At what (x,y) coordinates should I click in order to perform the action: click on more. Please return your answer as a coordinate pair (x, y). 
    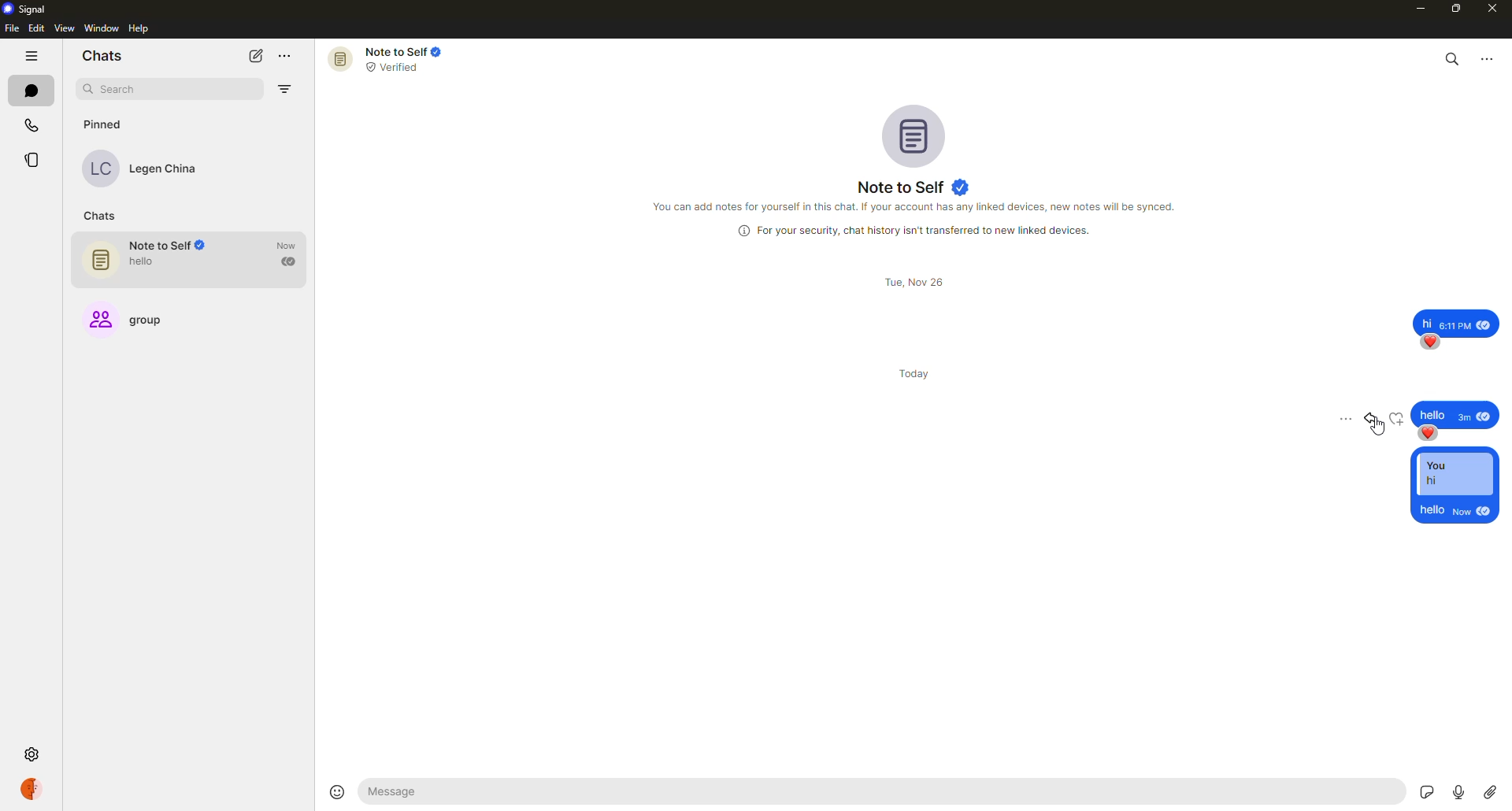
    Looking at the image, I should click on (1349, 422).